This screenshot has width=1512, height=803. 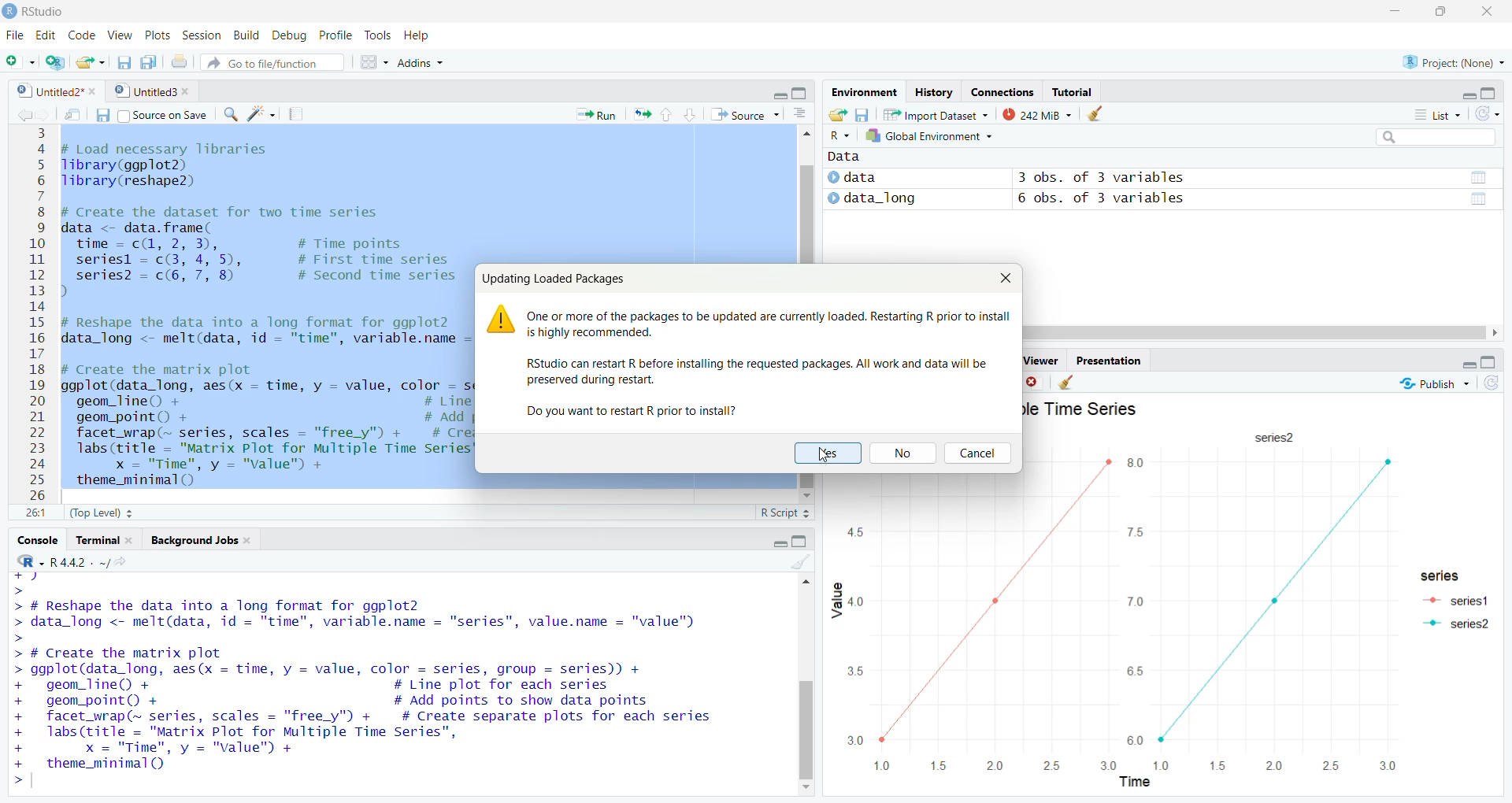 What do you see at coordinates (95, 91) in the screenshot?
I see `close` at bounding box center [95, 91].